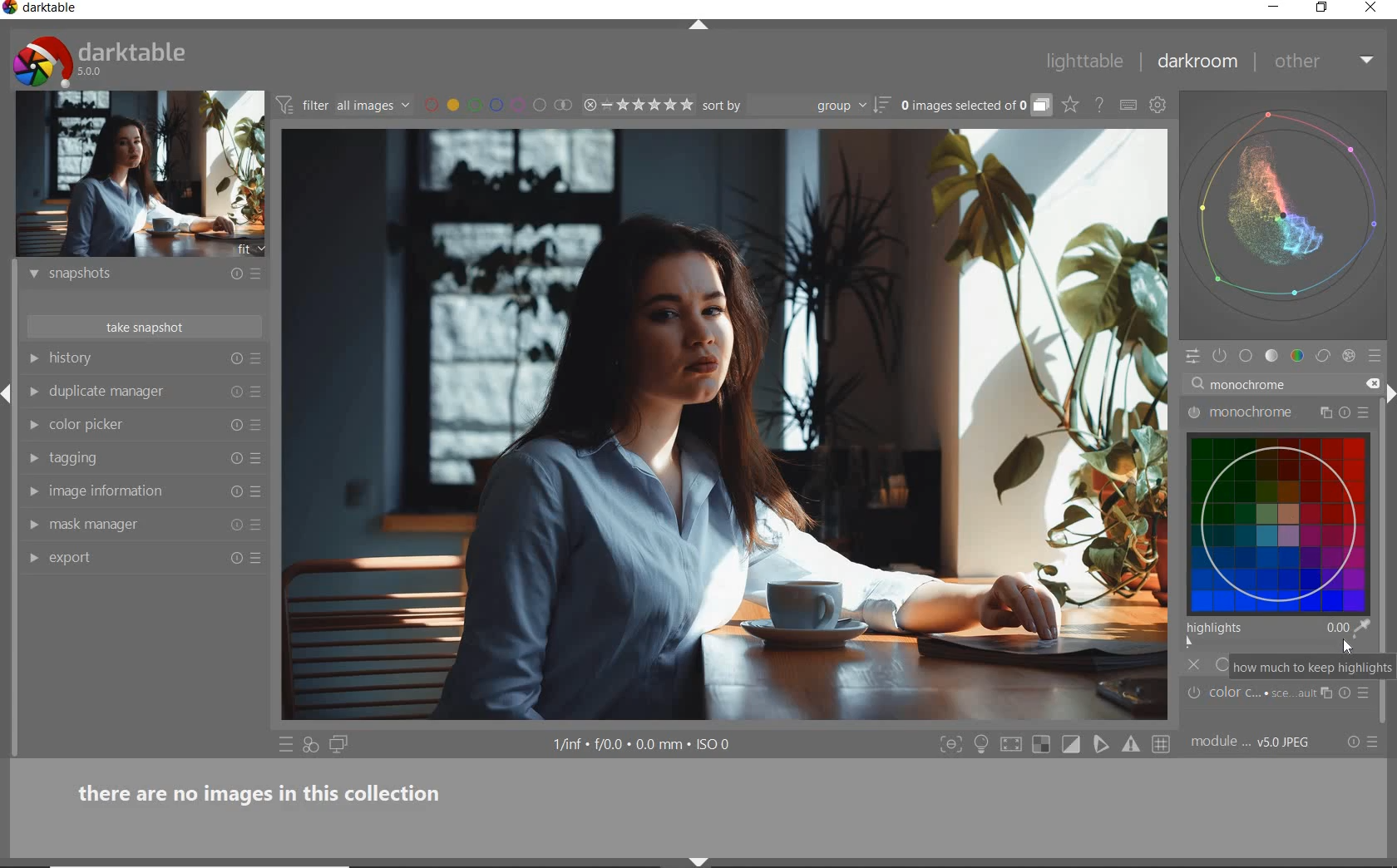 This screenshot has height=868, width=1397. I want to click on set keyboard shortcuts, so click(1128, 105).